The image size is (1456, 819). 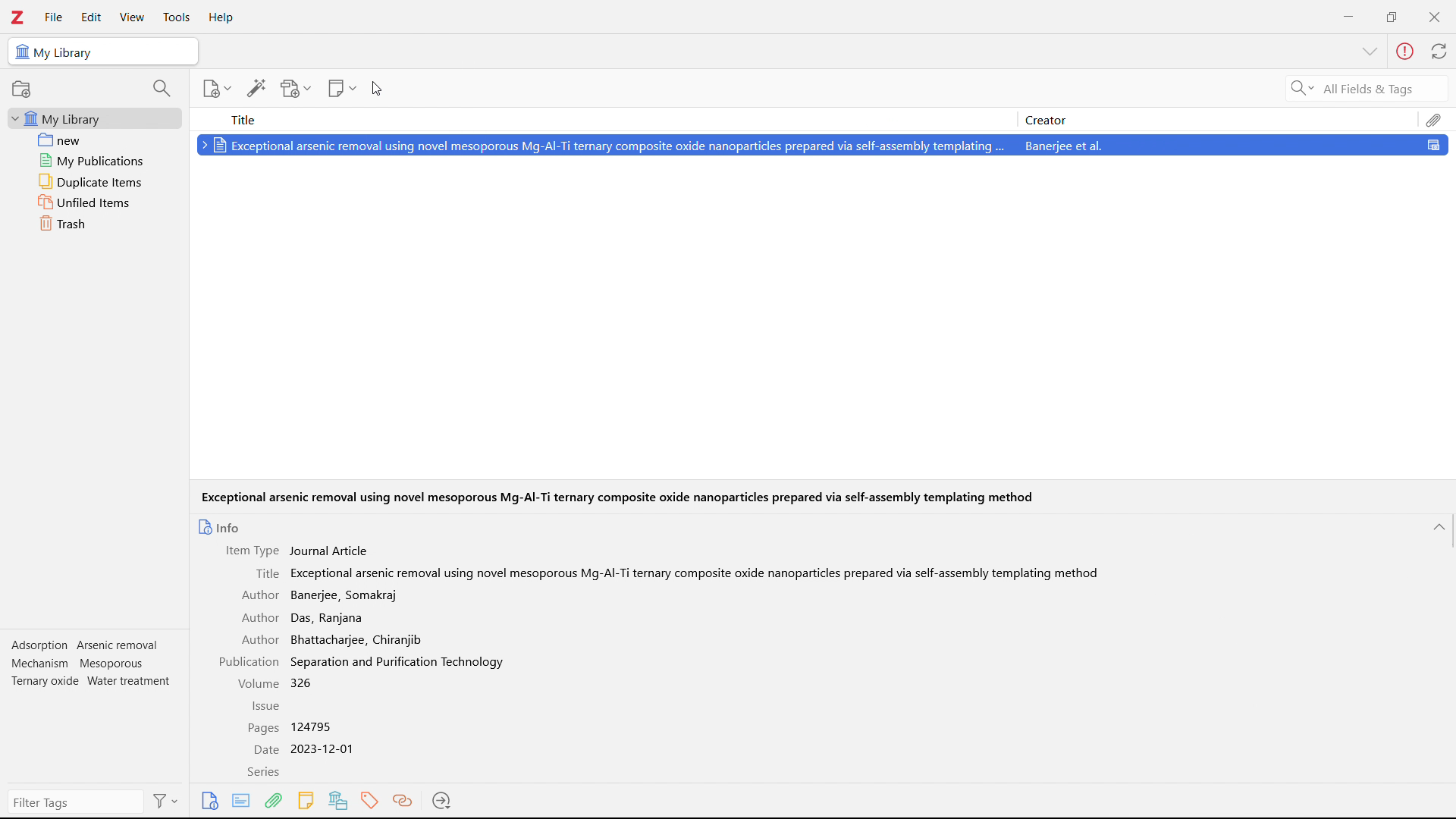 What do you see at coordinates (343, 88) in the screenshot?
I see `add notes` at bounding box center [343, 88].